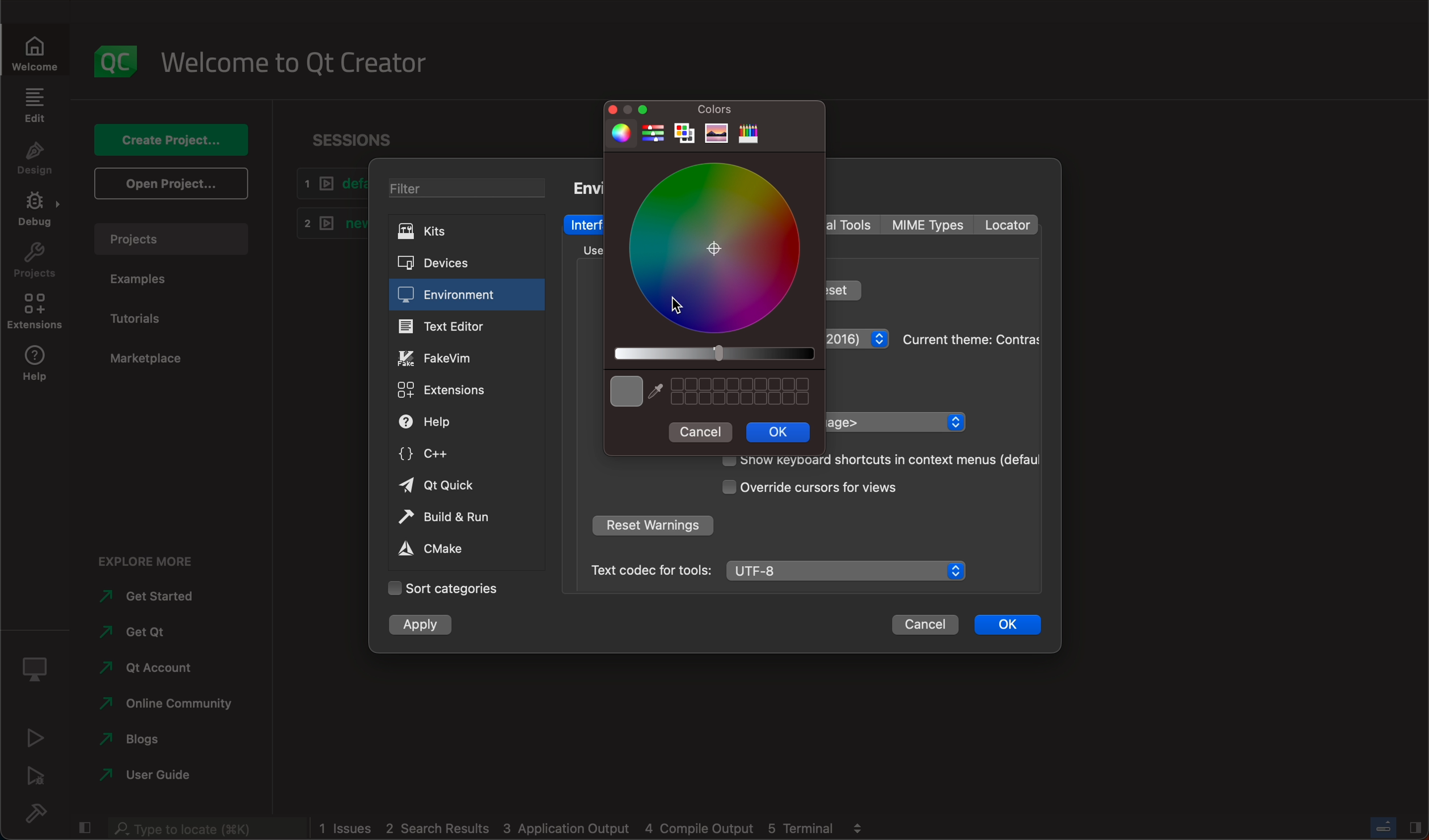 The image size is (1429, 840). What do you see at coordinates (585, 250) in the screenshot?
I see `use` at bounding box center [585, 250].